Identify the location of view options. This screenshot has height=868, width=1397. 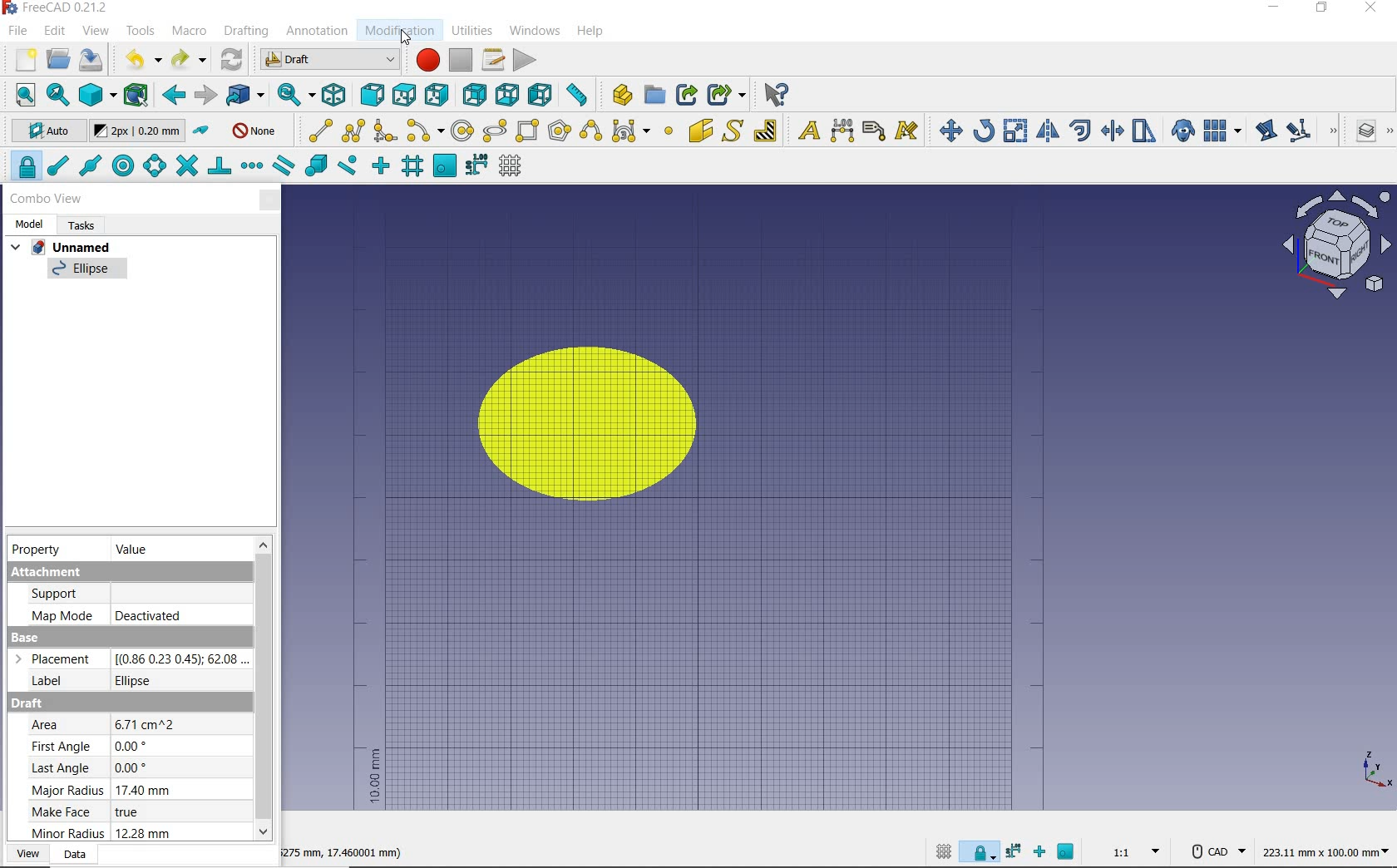
(1336, 244).